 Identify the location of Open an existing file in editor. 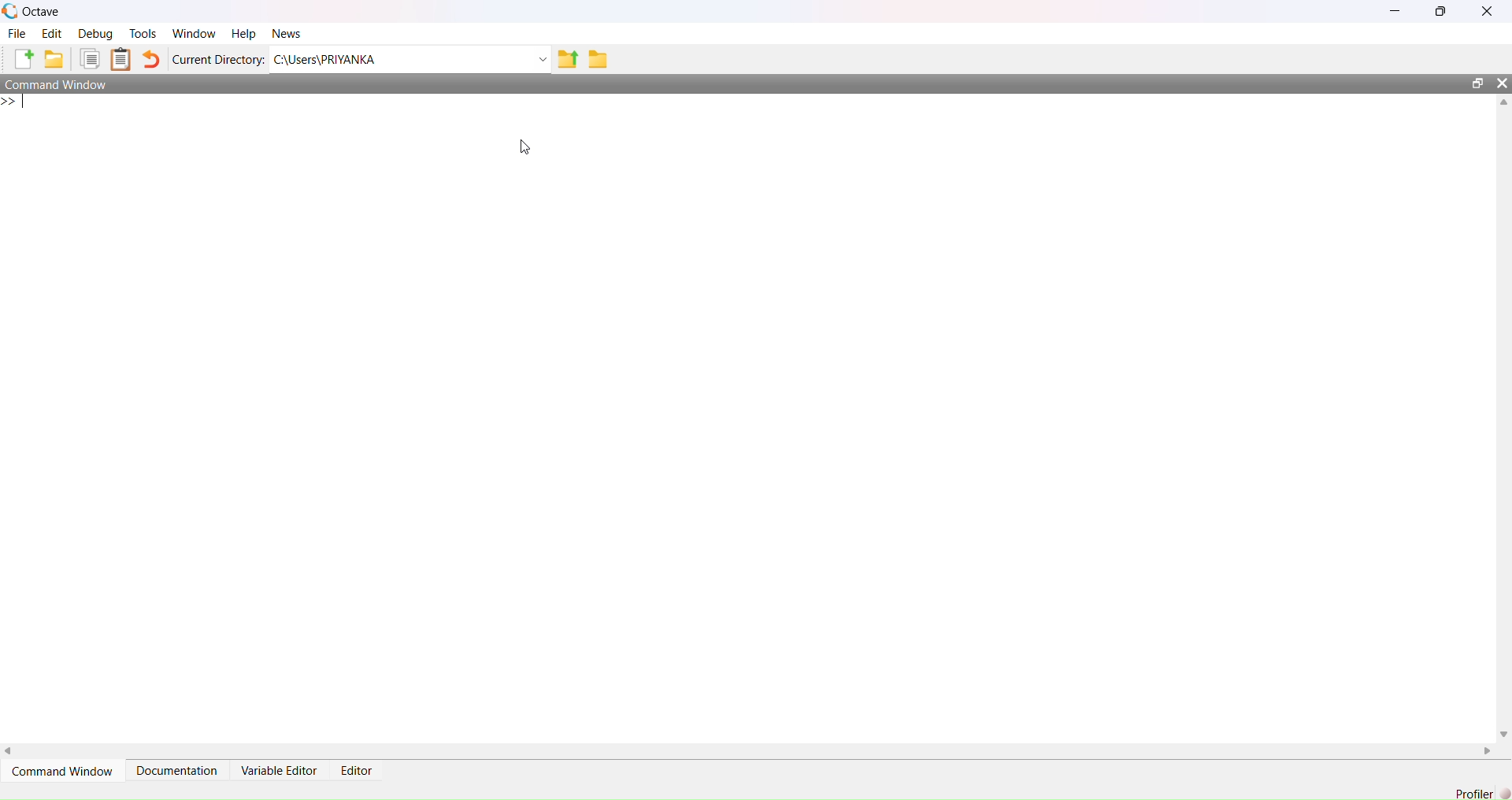
(57, 59).